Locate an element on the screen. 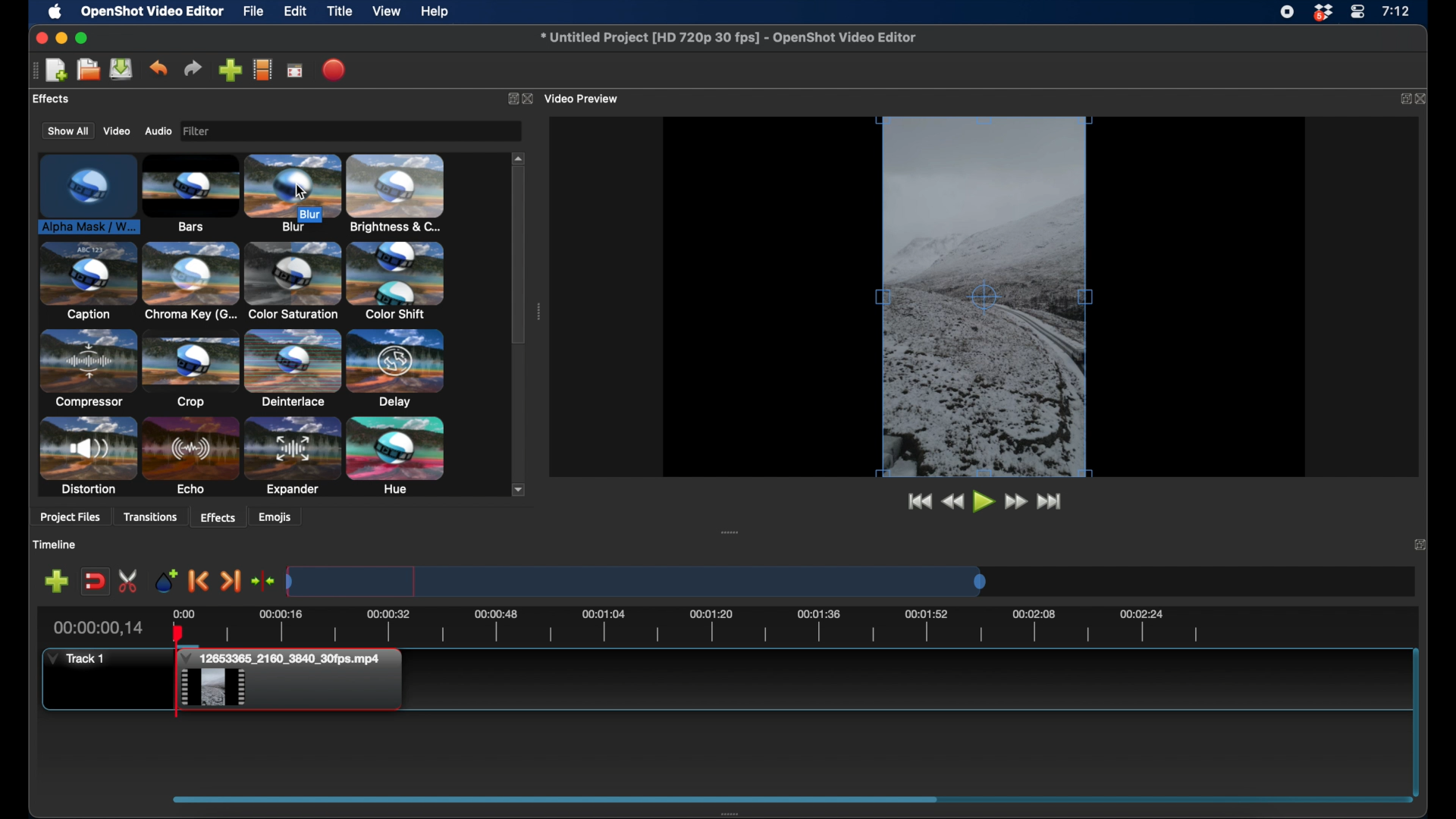  open project is located at coordinates (86, 70).